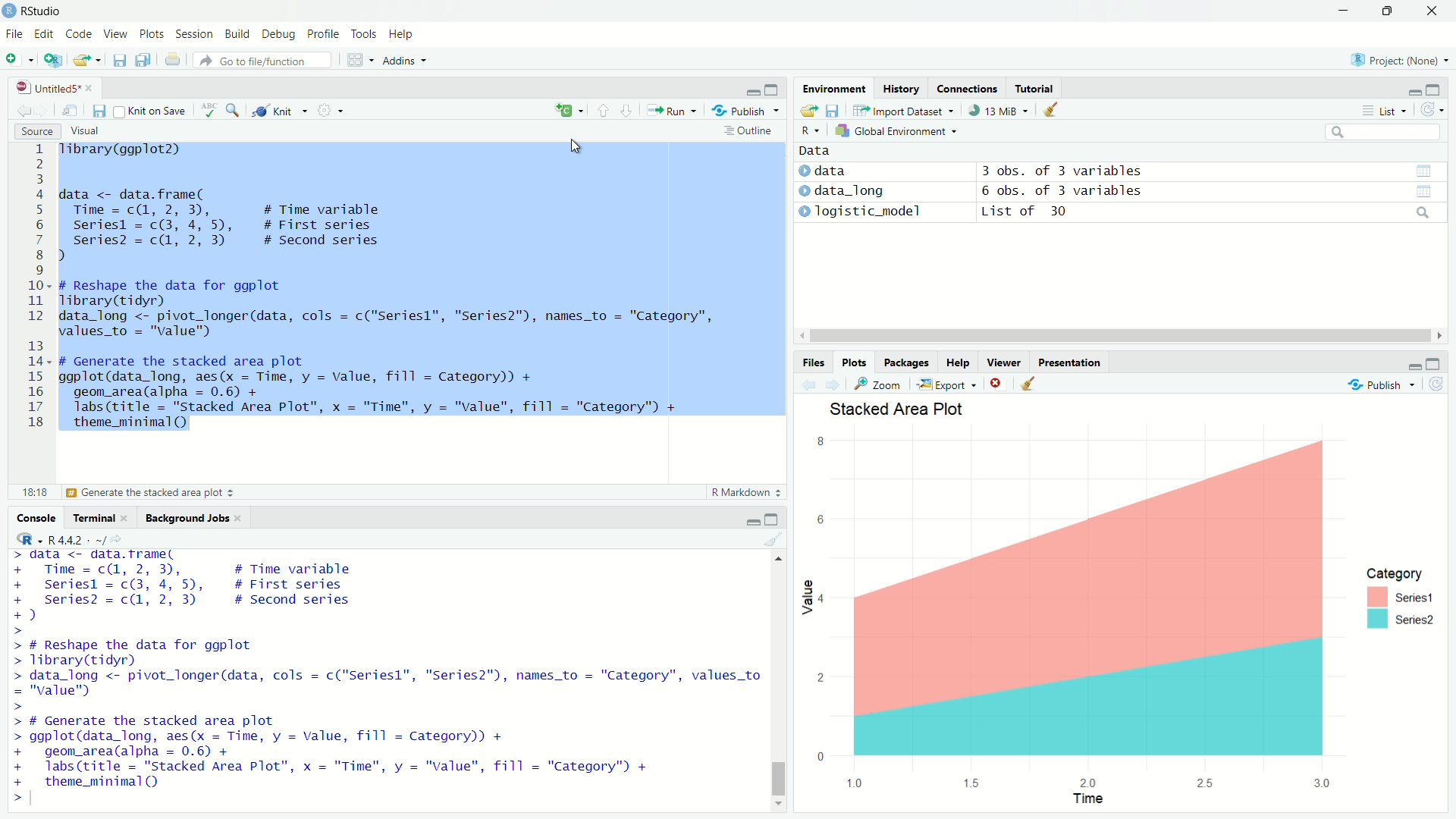 Image resolution: width=1456 pixels, height=819 pixels. I want to click on (Top Level) , so click(153, 495).